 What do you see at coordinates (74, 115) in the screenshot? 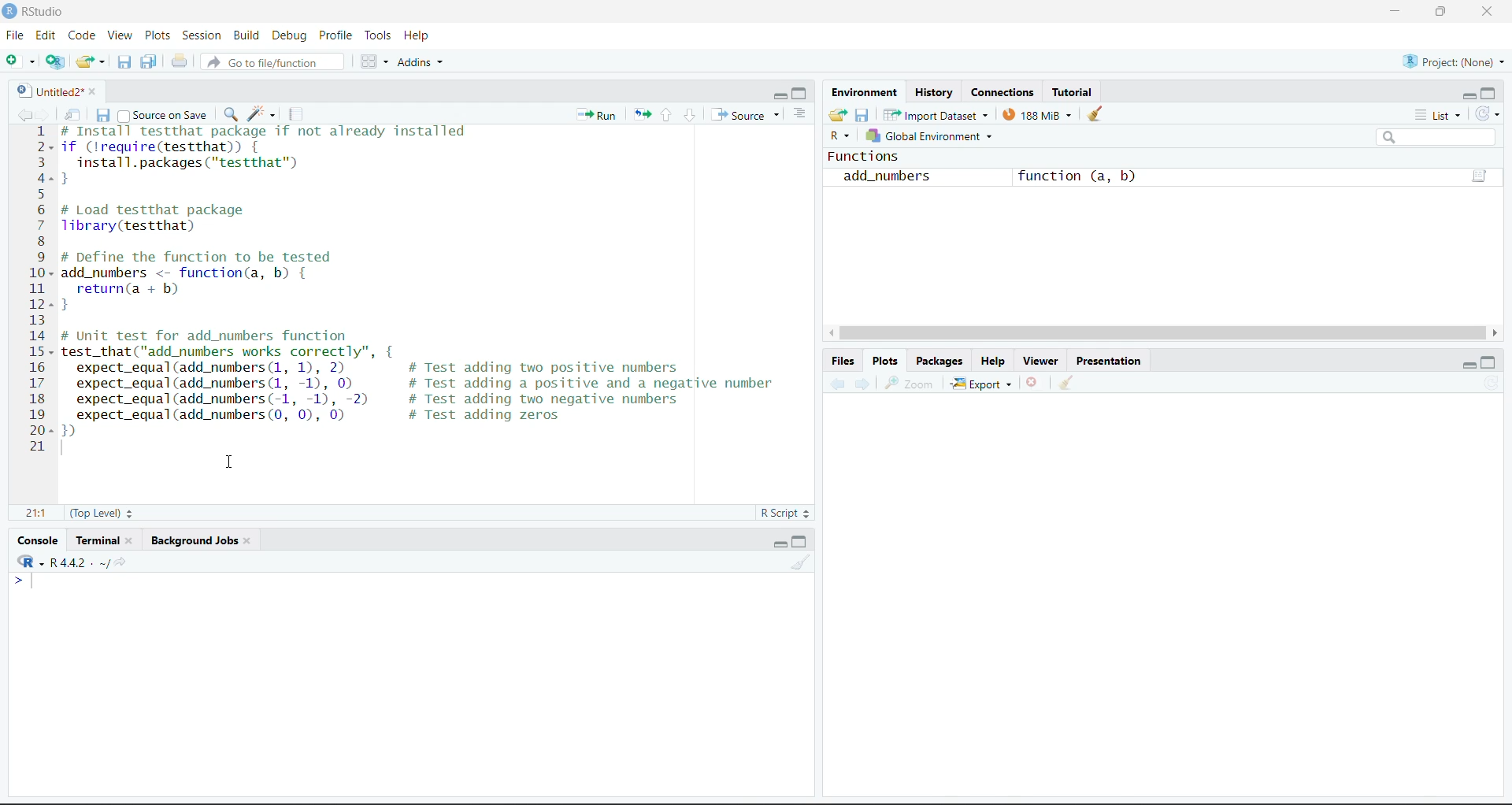
I see `show in new window` at bounding box center [74, 115].